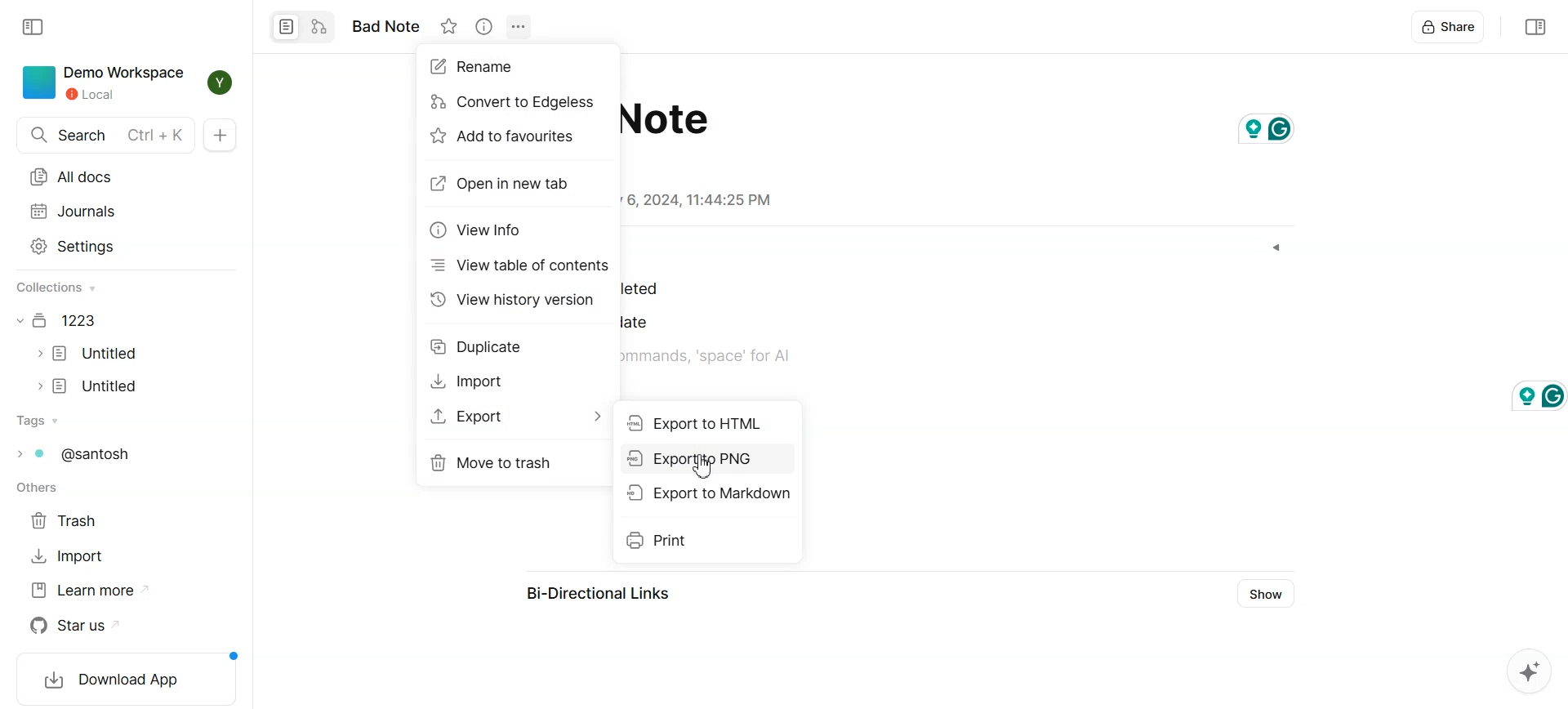 This screenshot has width=1568, height=709. Describe the element at coordinates (514, 103) in the screenshot. I see `Convert to edgeless` at that location.